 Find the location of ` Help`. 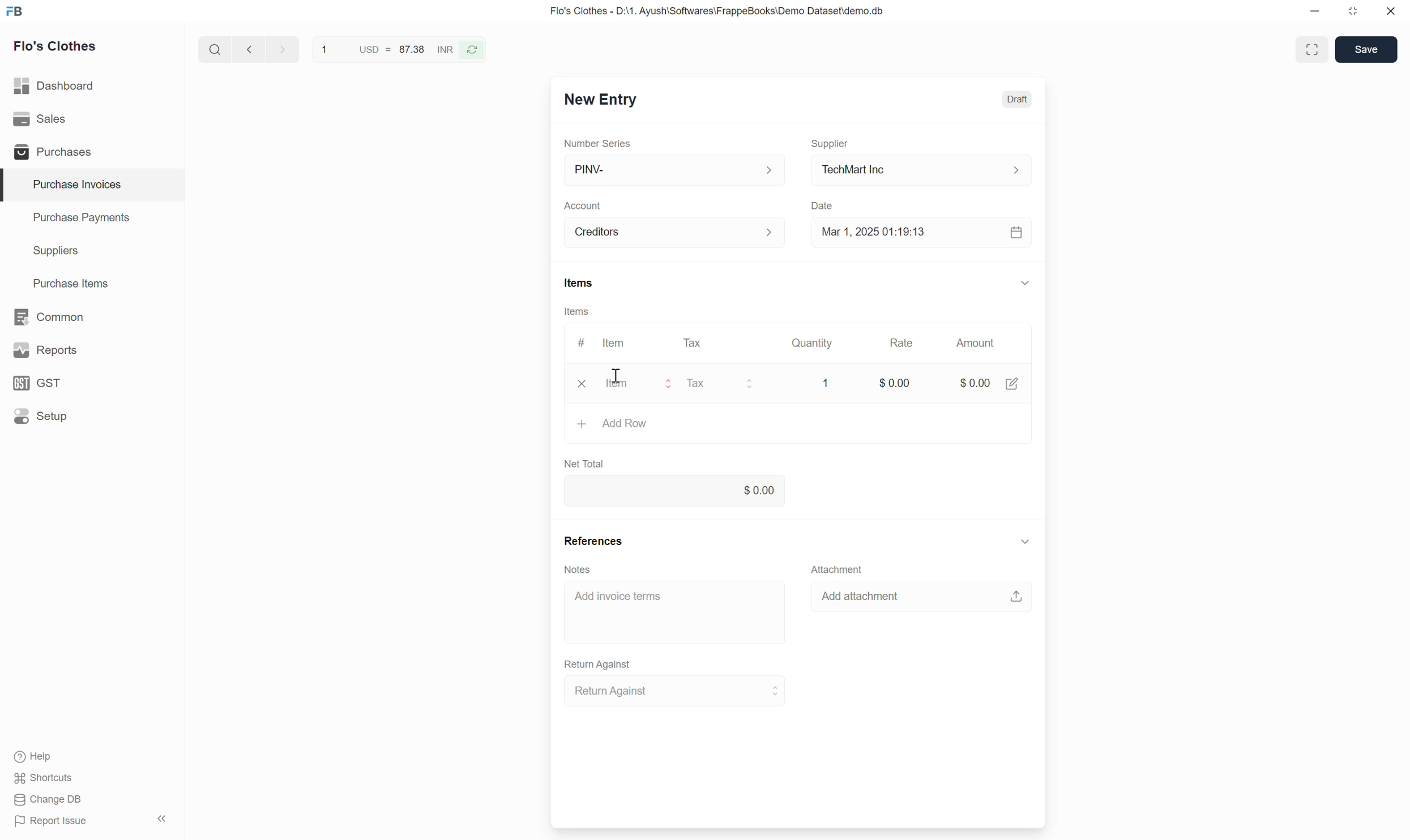

 Help is located at coordinates (46, 758).